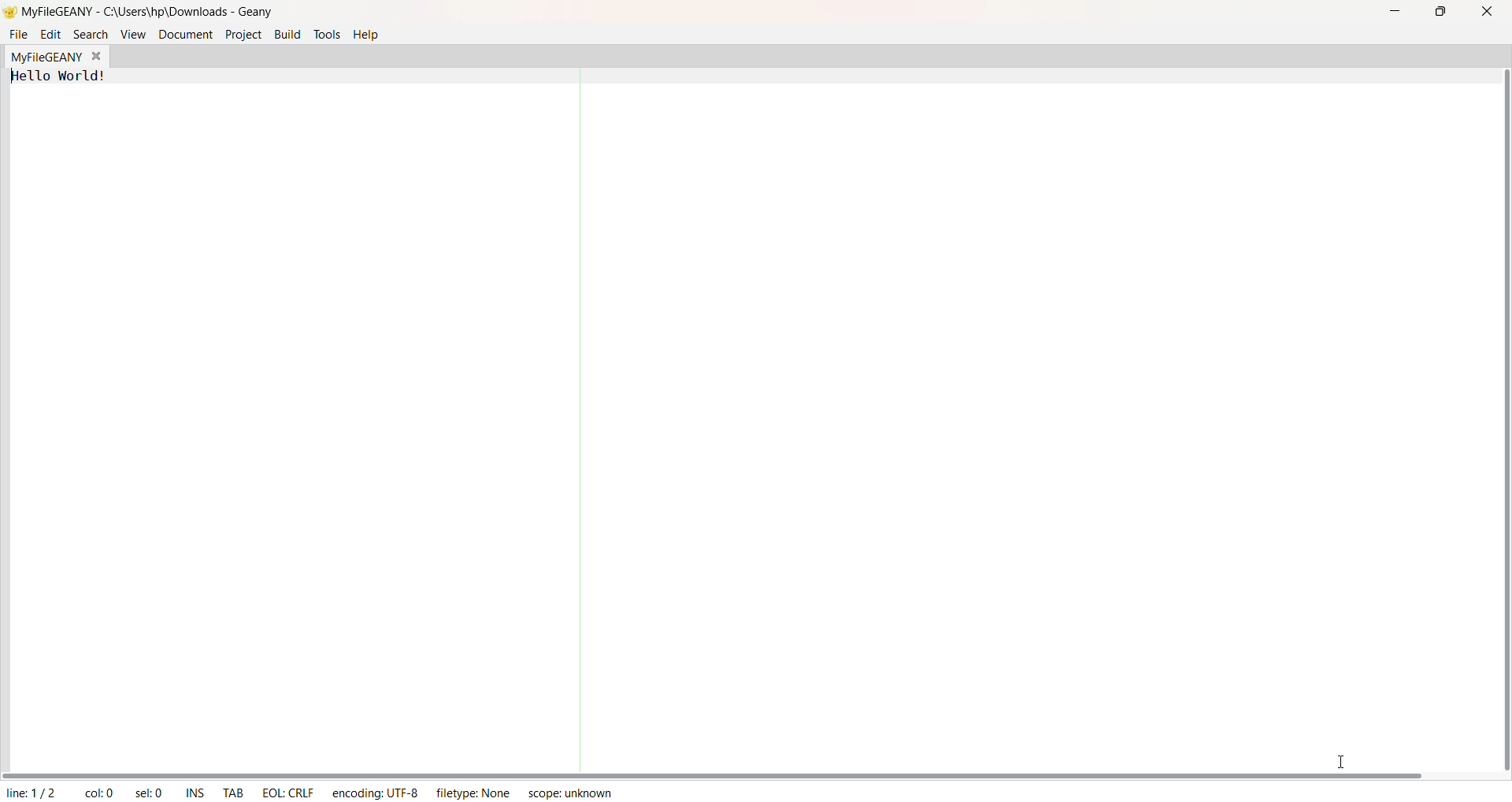 The image size is (1512, 802). Describe the element at coordinates (328, 34) in the screenshot. I see `Tools` at that location.